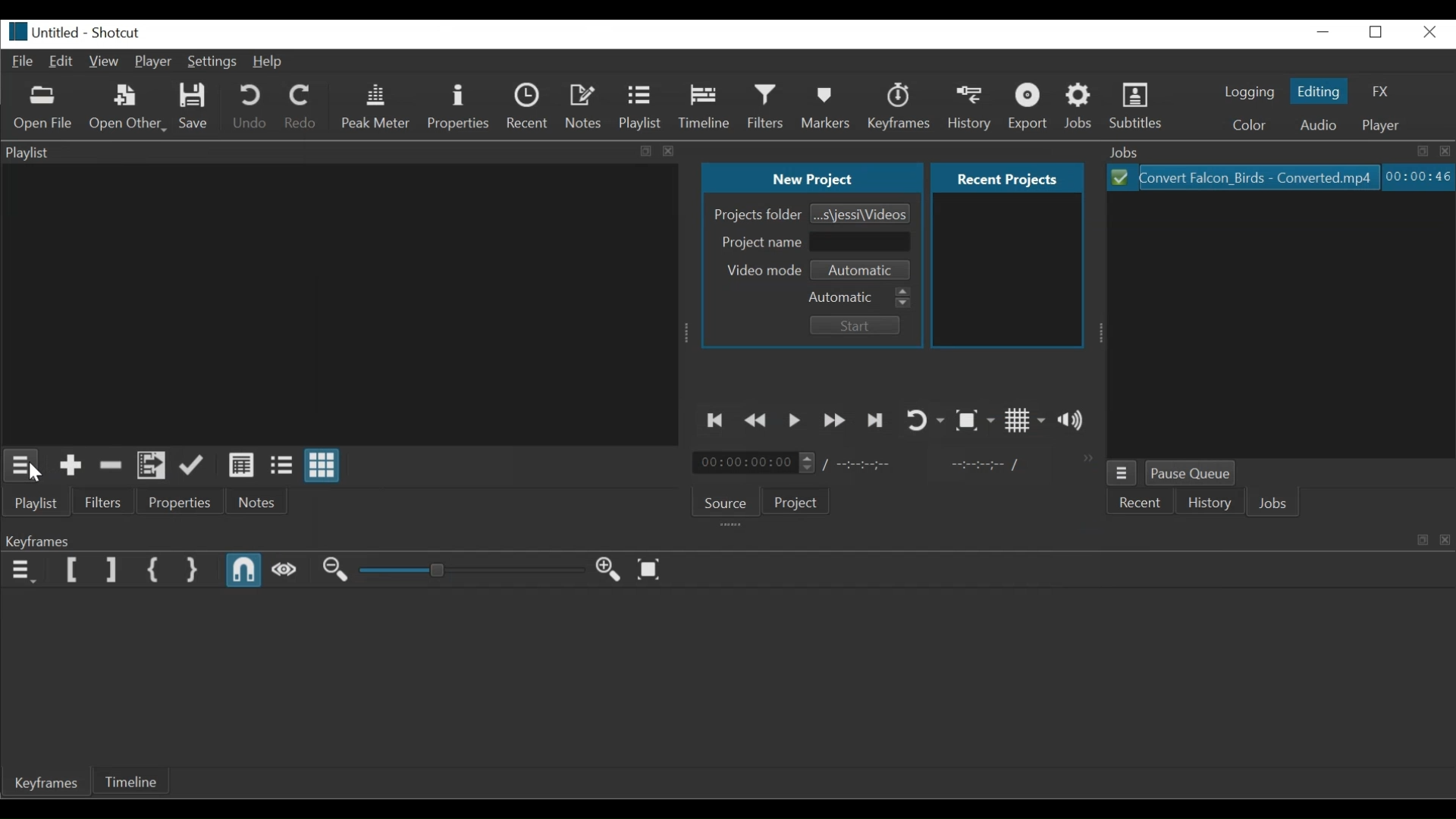 The width and height of the screenshot is (1456, 819). I want to click on Snap, so click(245, 571).